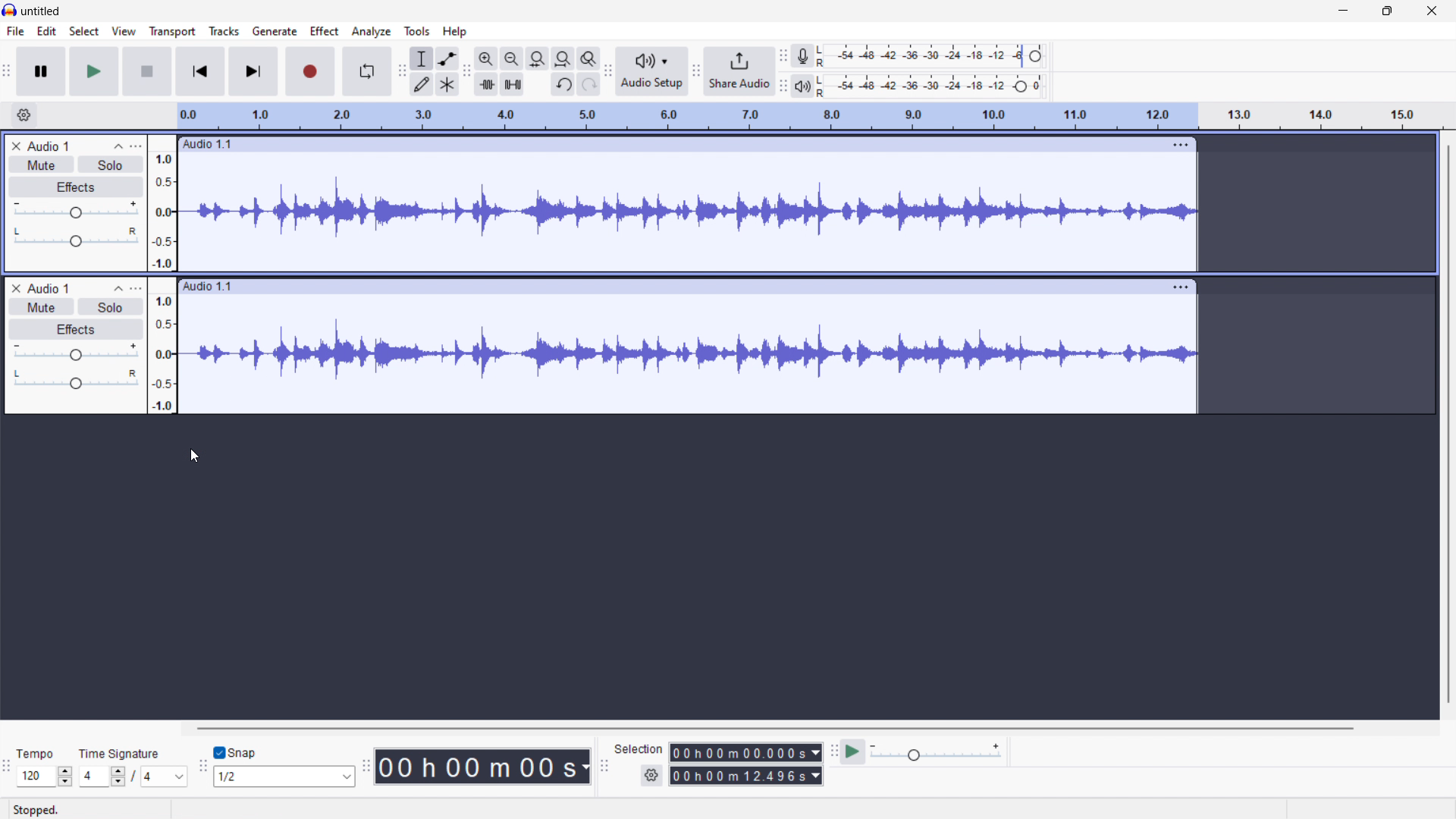  I want to click on select, so click(84, 31).